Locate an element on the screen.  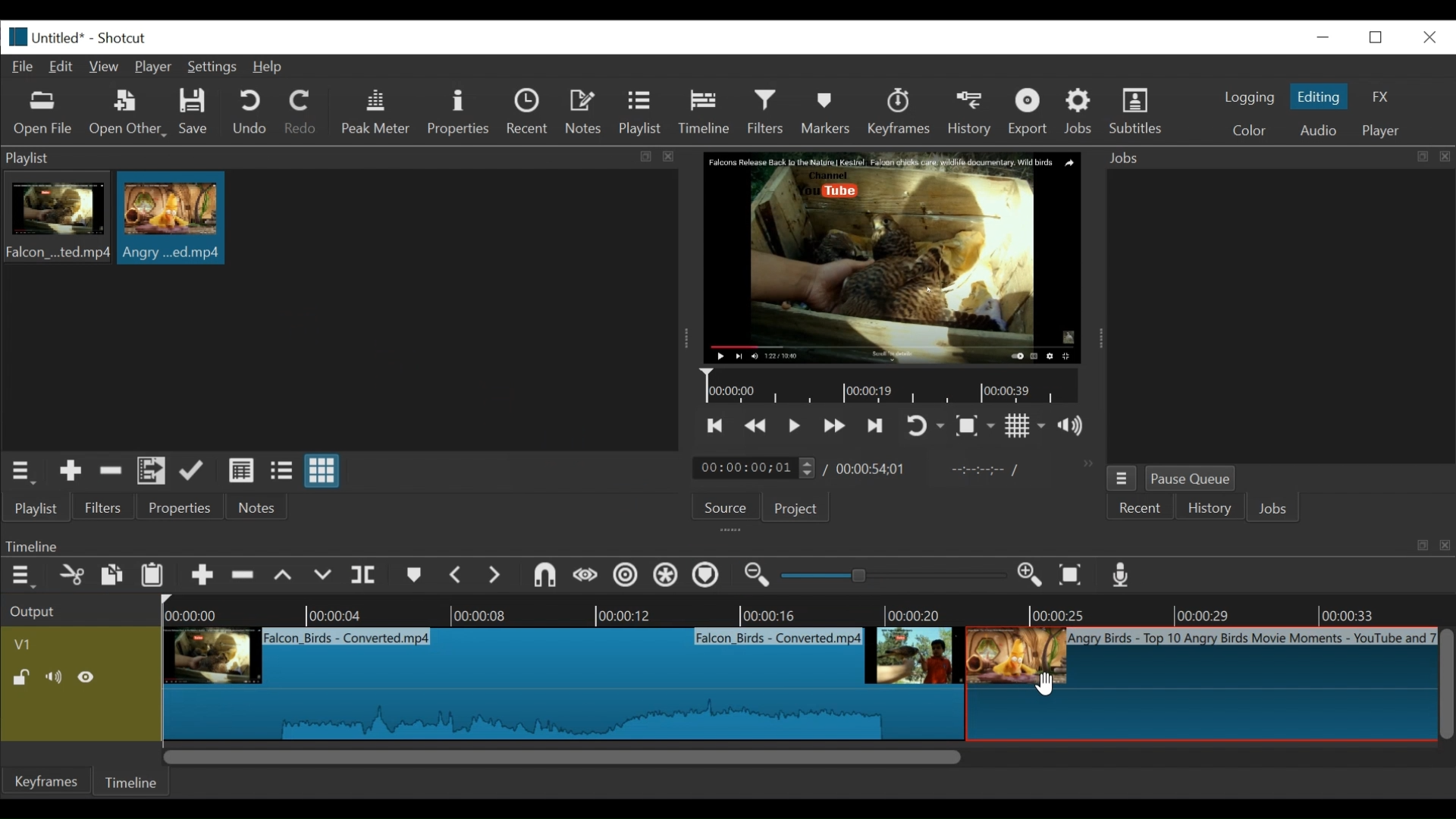
Remove cut is located at coordinates (245, 578).